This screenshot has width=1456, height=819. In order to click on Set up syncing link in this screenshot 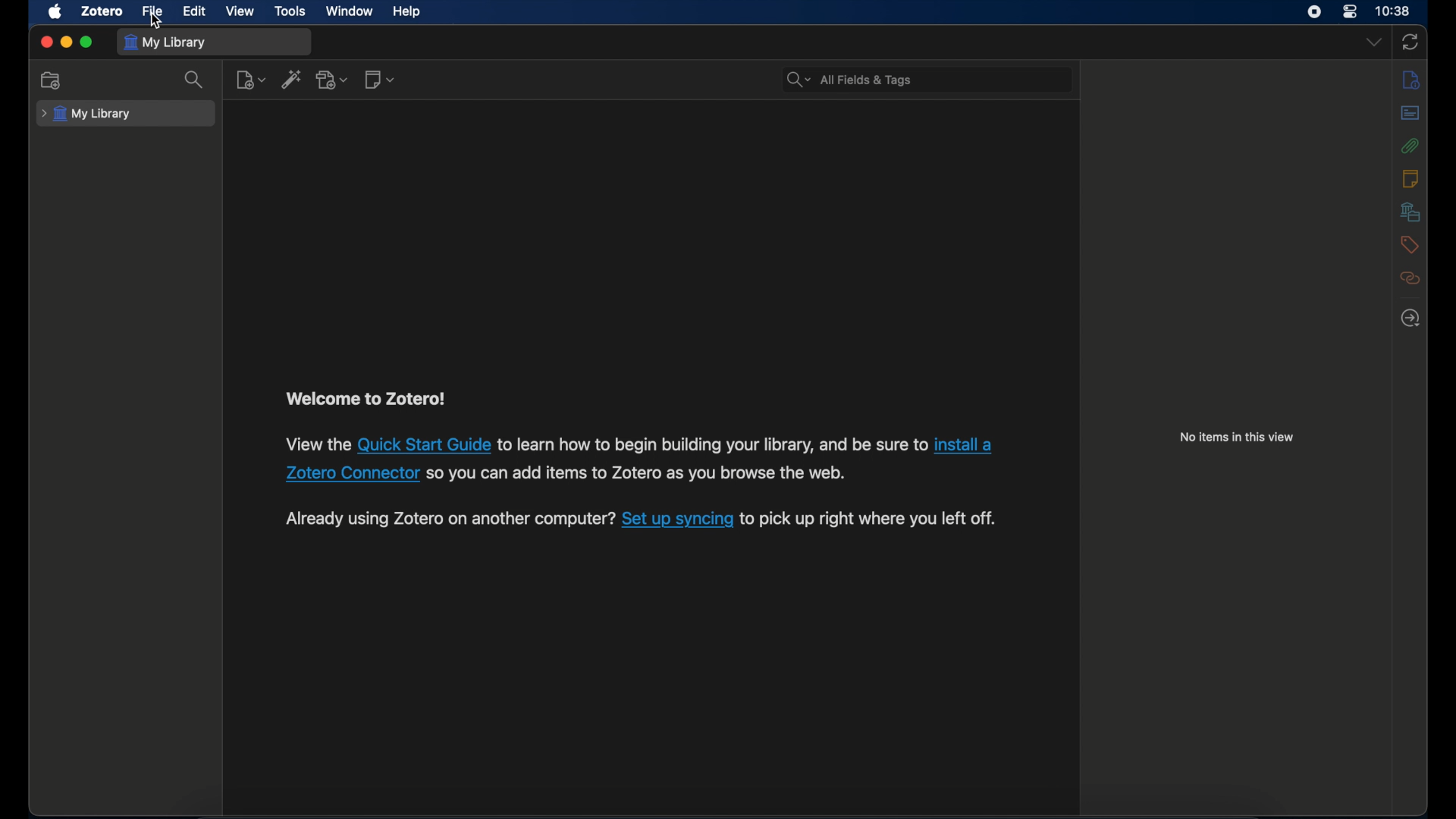, I will do `click(677, 520)`.